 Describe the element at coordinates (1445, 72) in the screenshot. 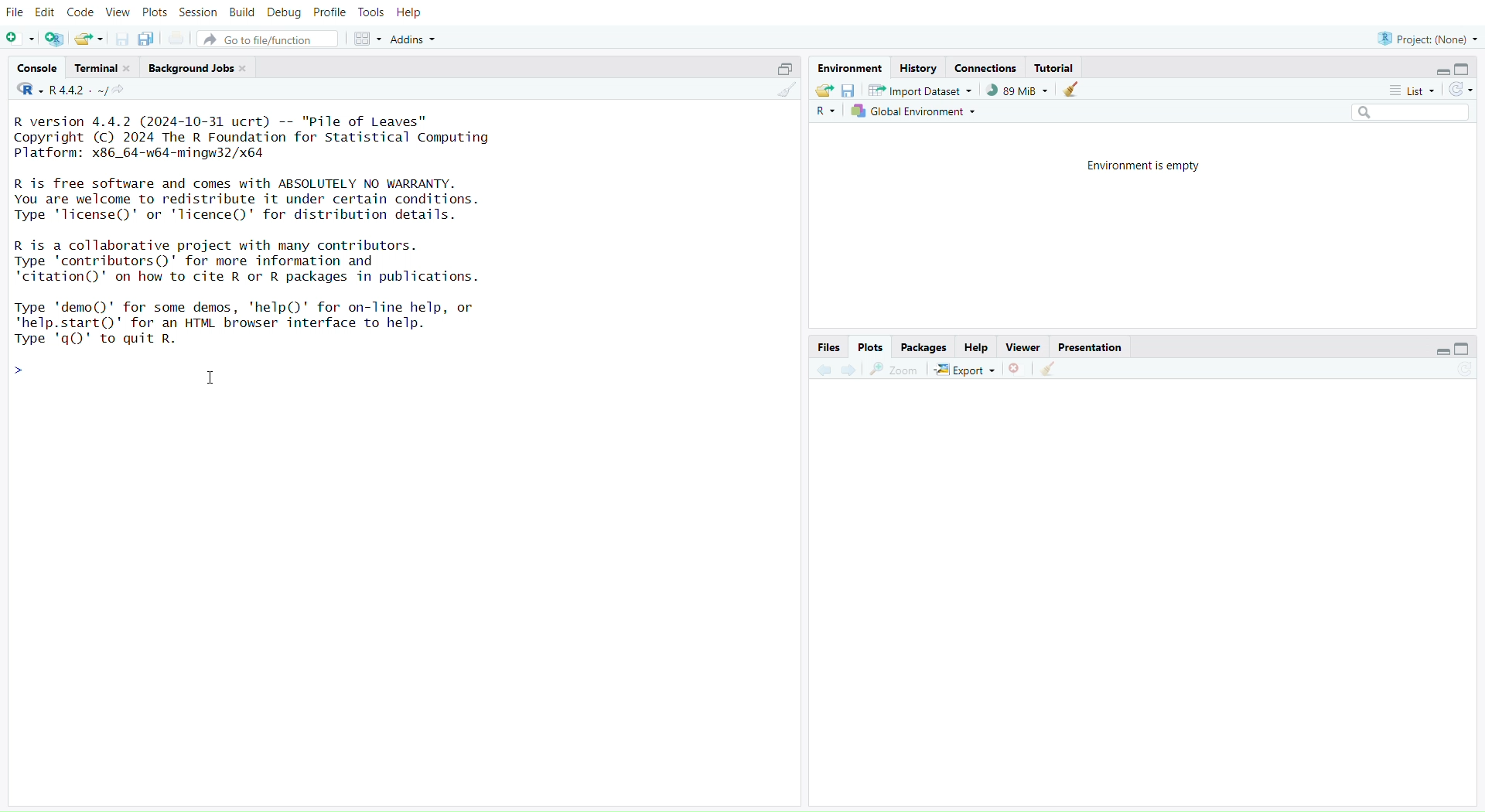

I see `Minimize` at that location.